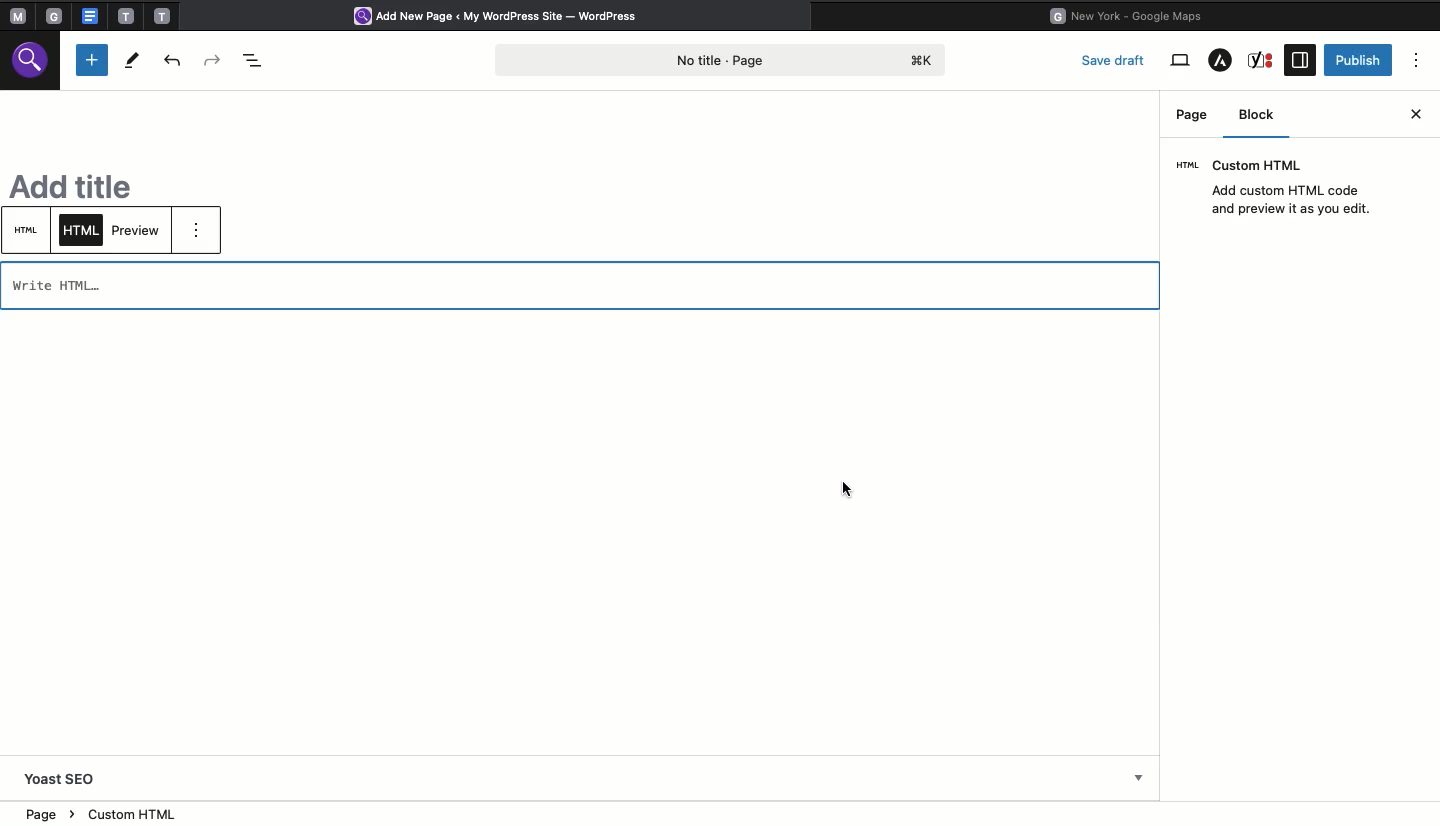  Describe the element at coordinates (15, 17) in the screenshot. I see `Pinned tabs` at that location.